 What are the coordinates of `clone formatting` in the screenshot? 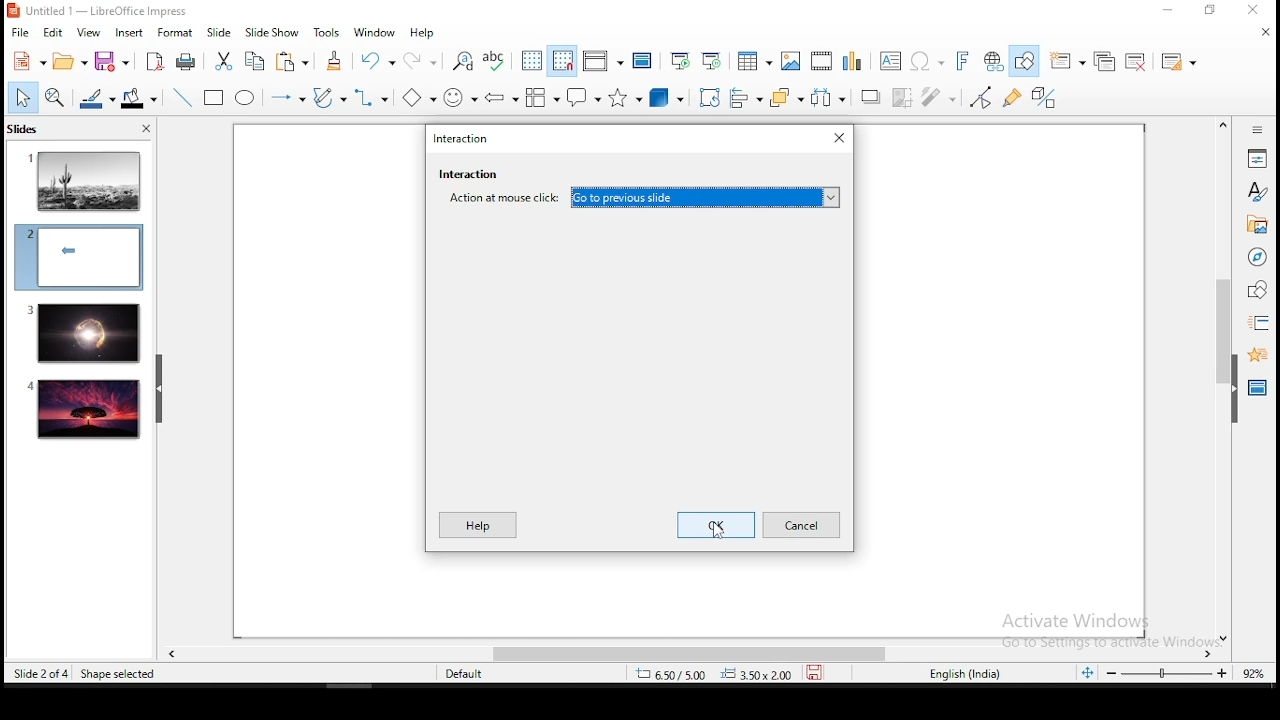 It's located at (335, 61).